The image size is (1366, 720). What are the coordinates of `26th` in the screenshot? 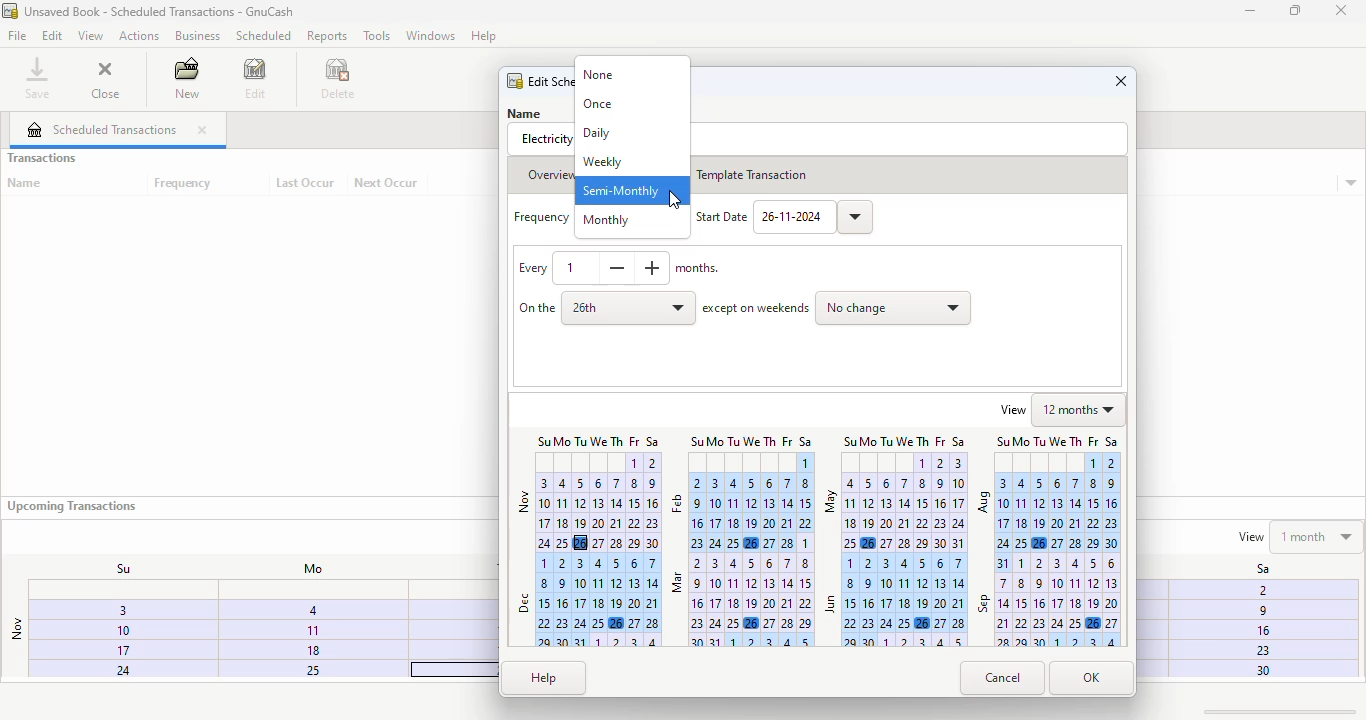 It's located at (629, 308).